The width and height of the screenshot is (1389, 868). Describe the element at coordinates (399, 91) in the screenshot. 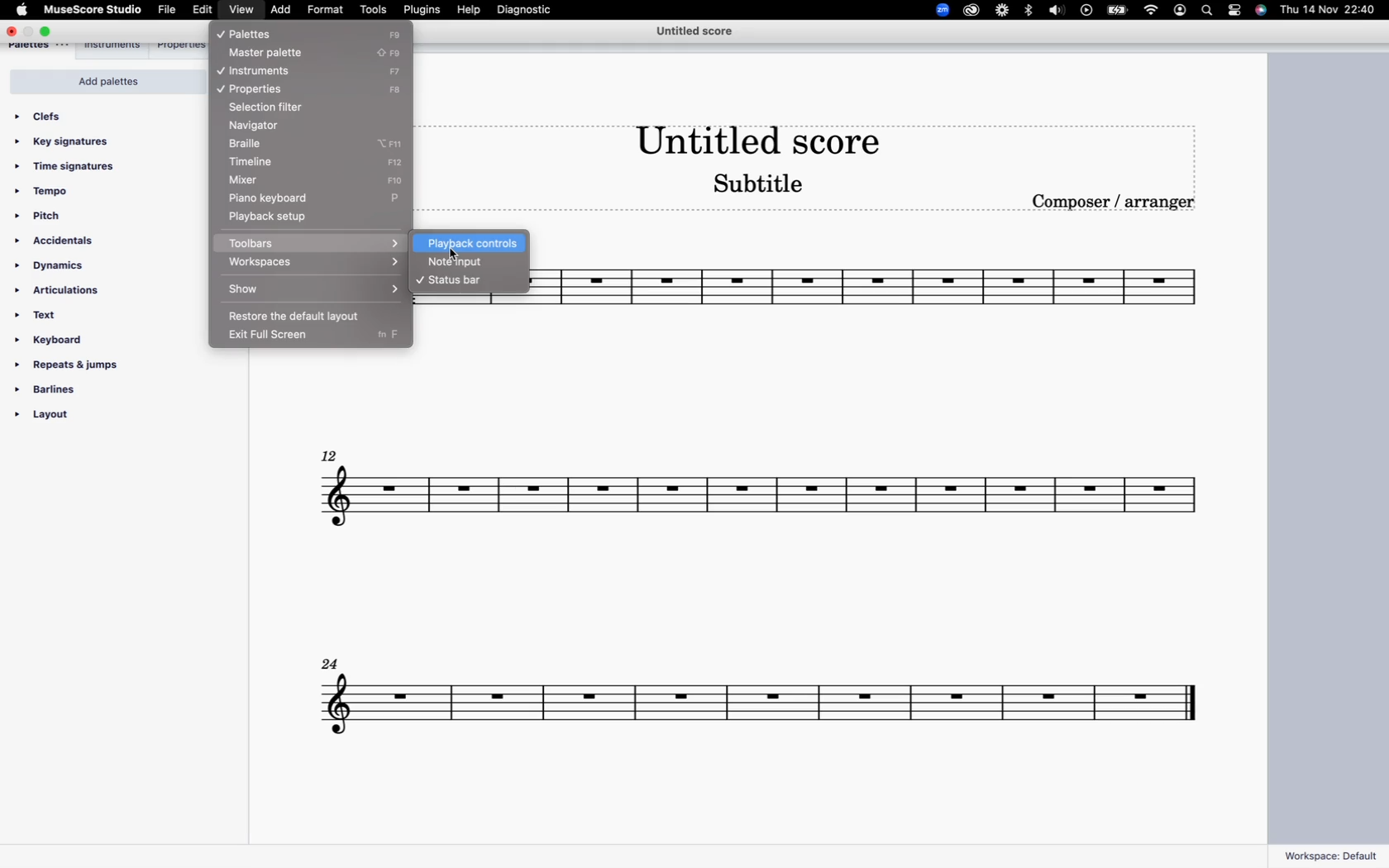

I see `F8` at that location.